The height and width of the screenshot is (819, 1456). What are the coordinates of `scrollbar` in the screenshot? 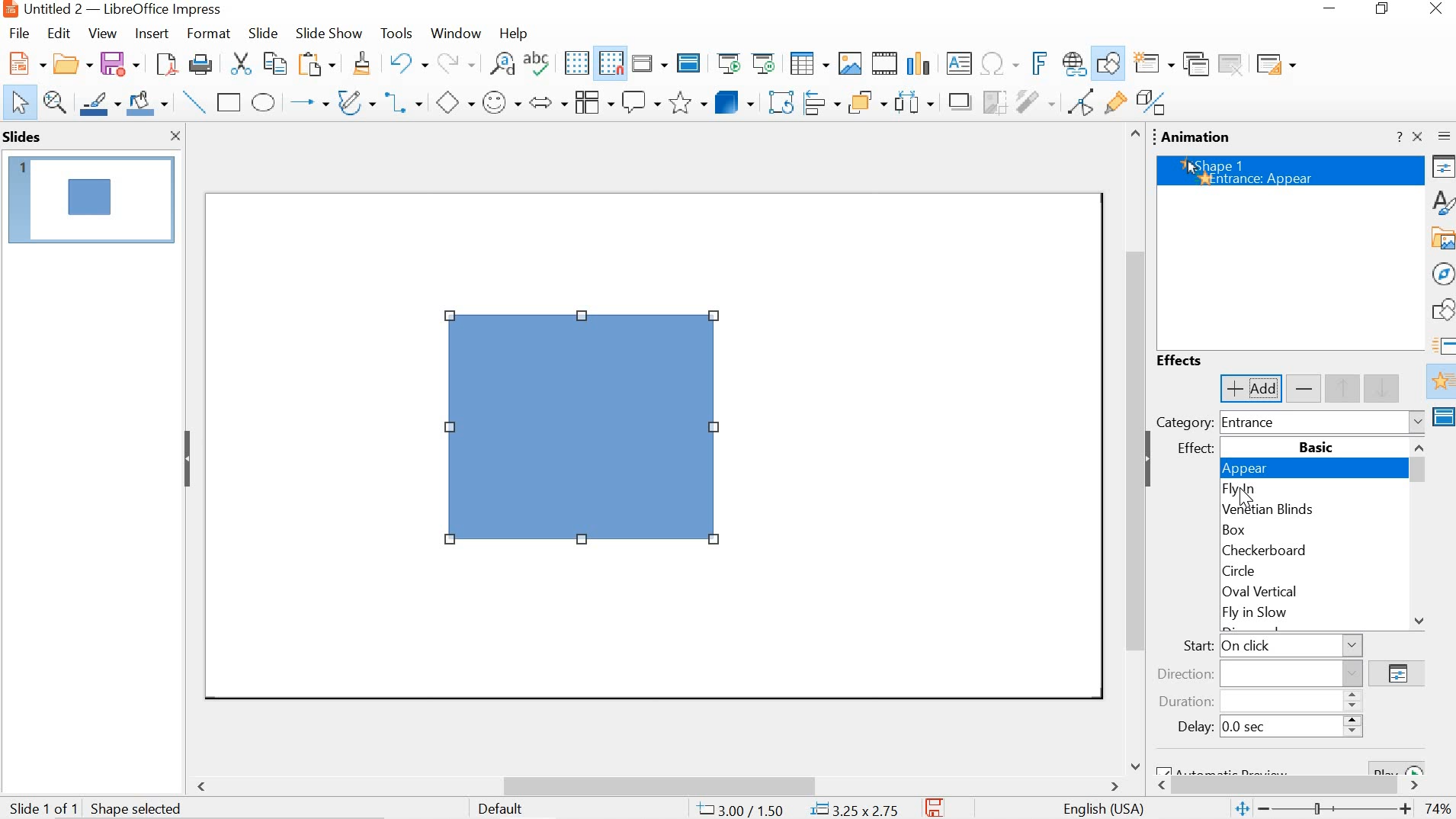 It's located at (656, 784).